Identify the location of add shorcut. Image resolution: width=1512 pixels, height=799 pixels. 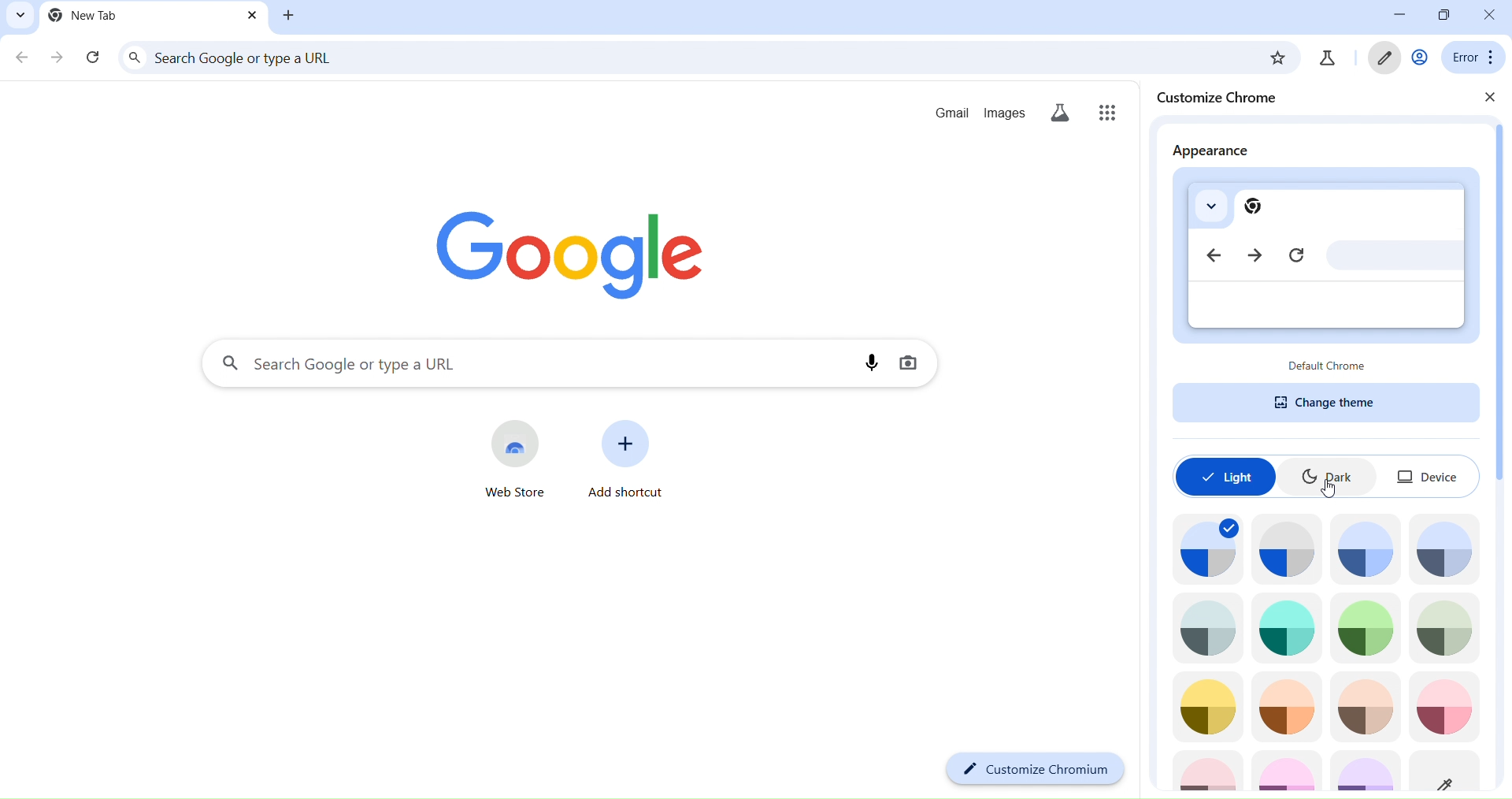
(625, 459).